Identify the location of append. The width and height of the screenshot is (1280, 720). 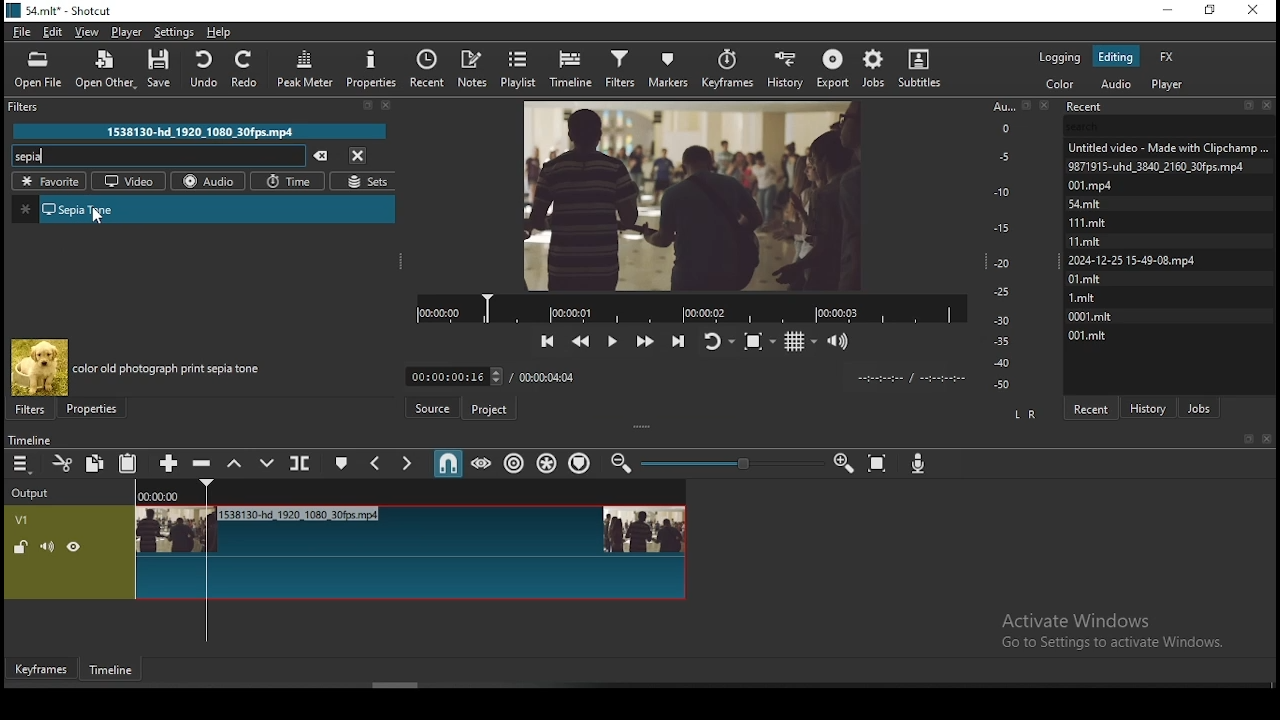
(166, 461).